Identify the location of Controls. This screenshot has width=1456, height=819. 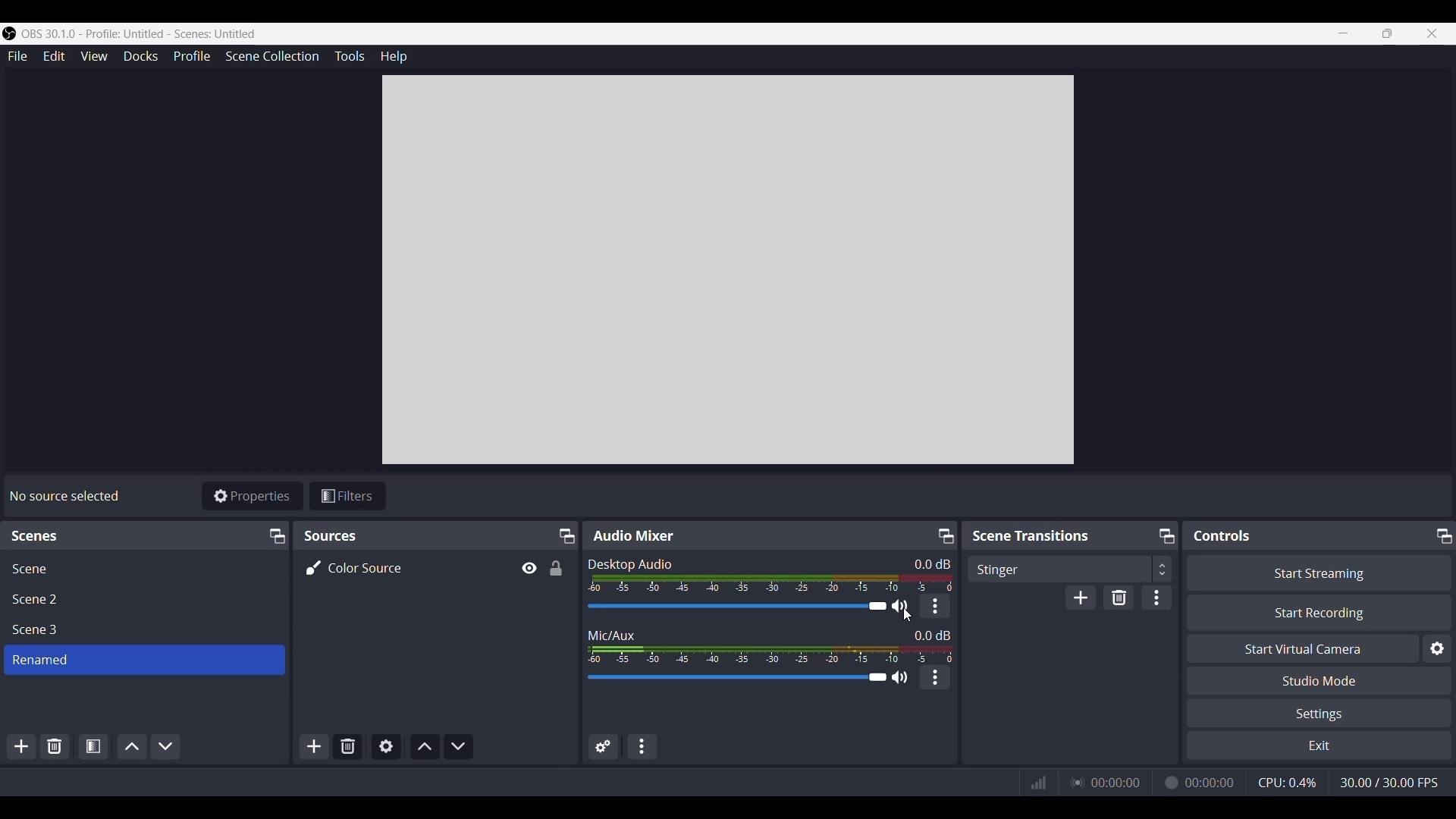
(1222, 536).